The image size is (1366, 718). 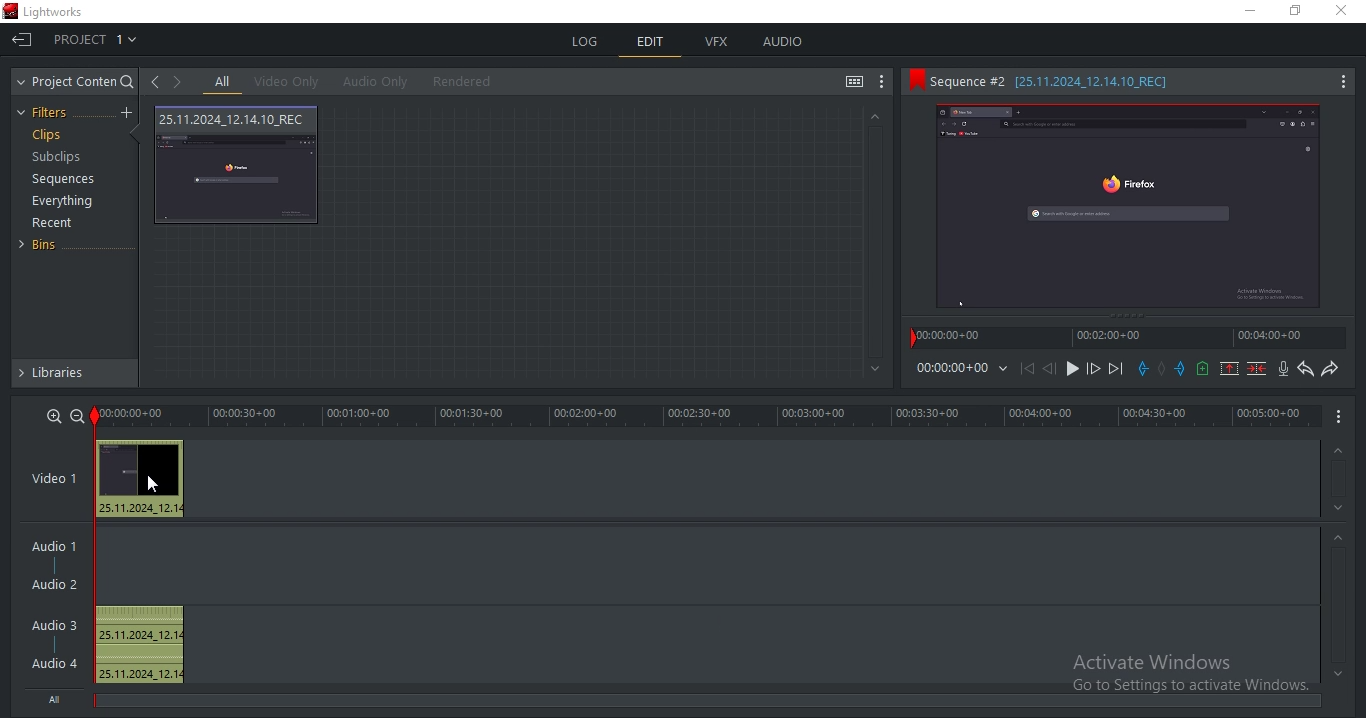 I want to click on maximize, so click(x=1300, y=12).